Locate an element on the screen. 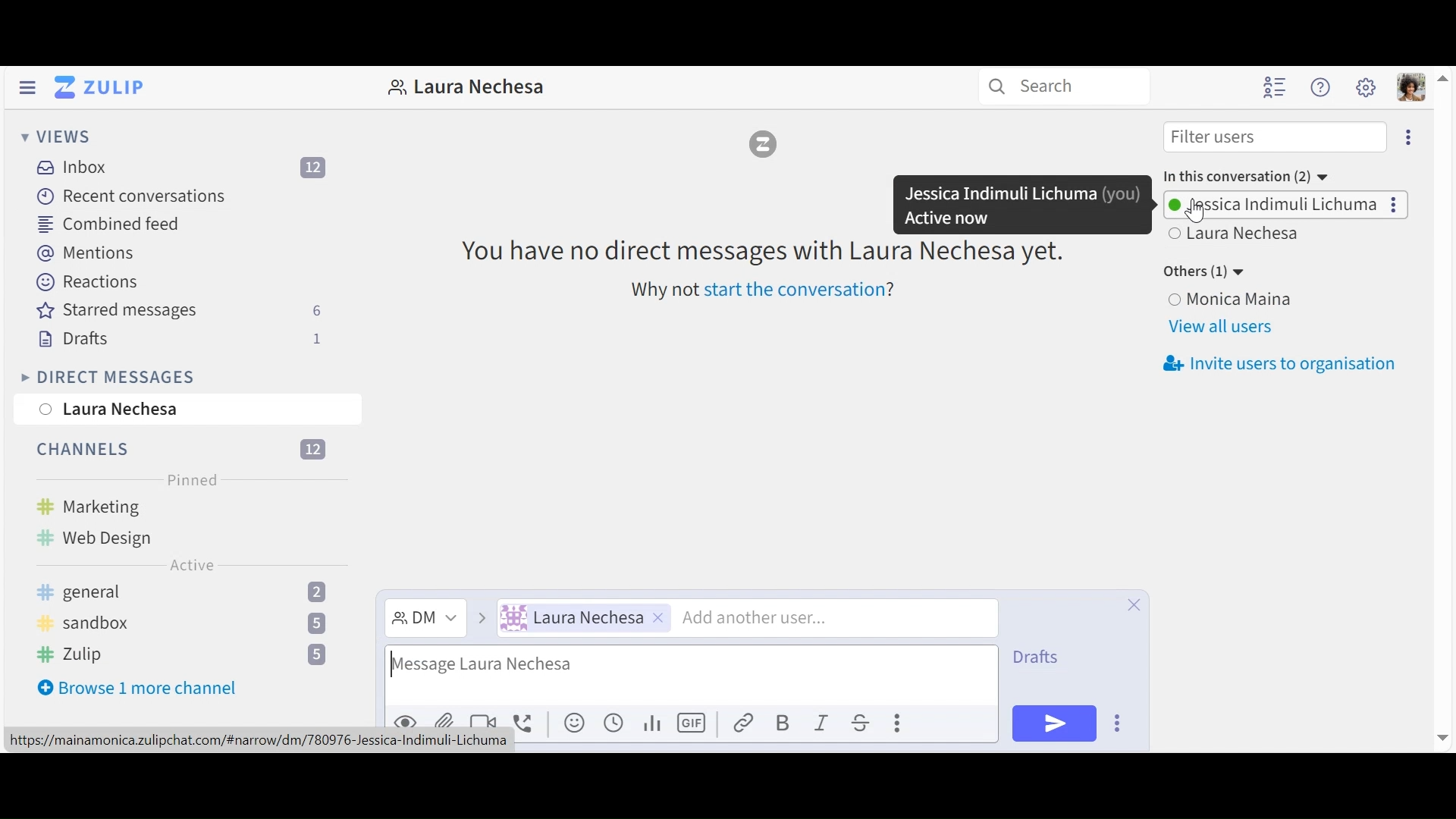  User is located at coordinates (583, 618).